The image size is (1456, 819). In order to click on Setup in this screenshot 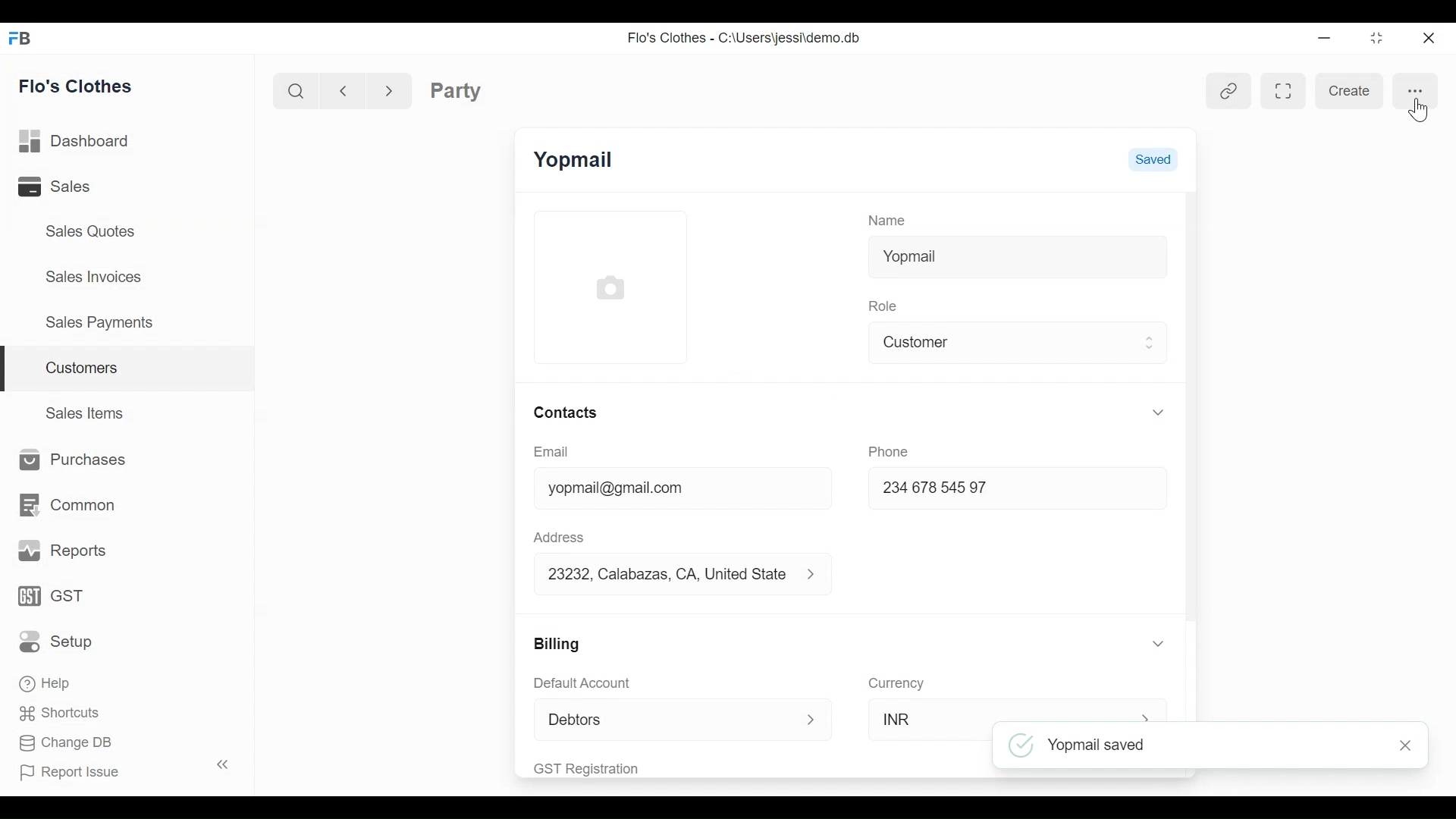, I will do `click(60, 641)`.